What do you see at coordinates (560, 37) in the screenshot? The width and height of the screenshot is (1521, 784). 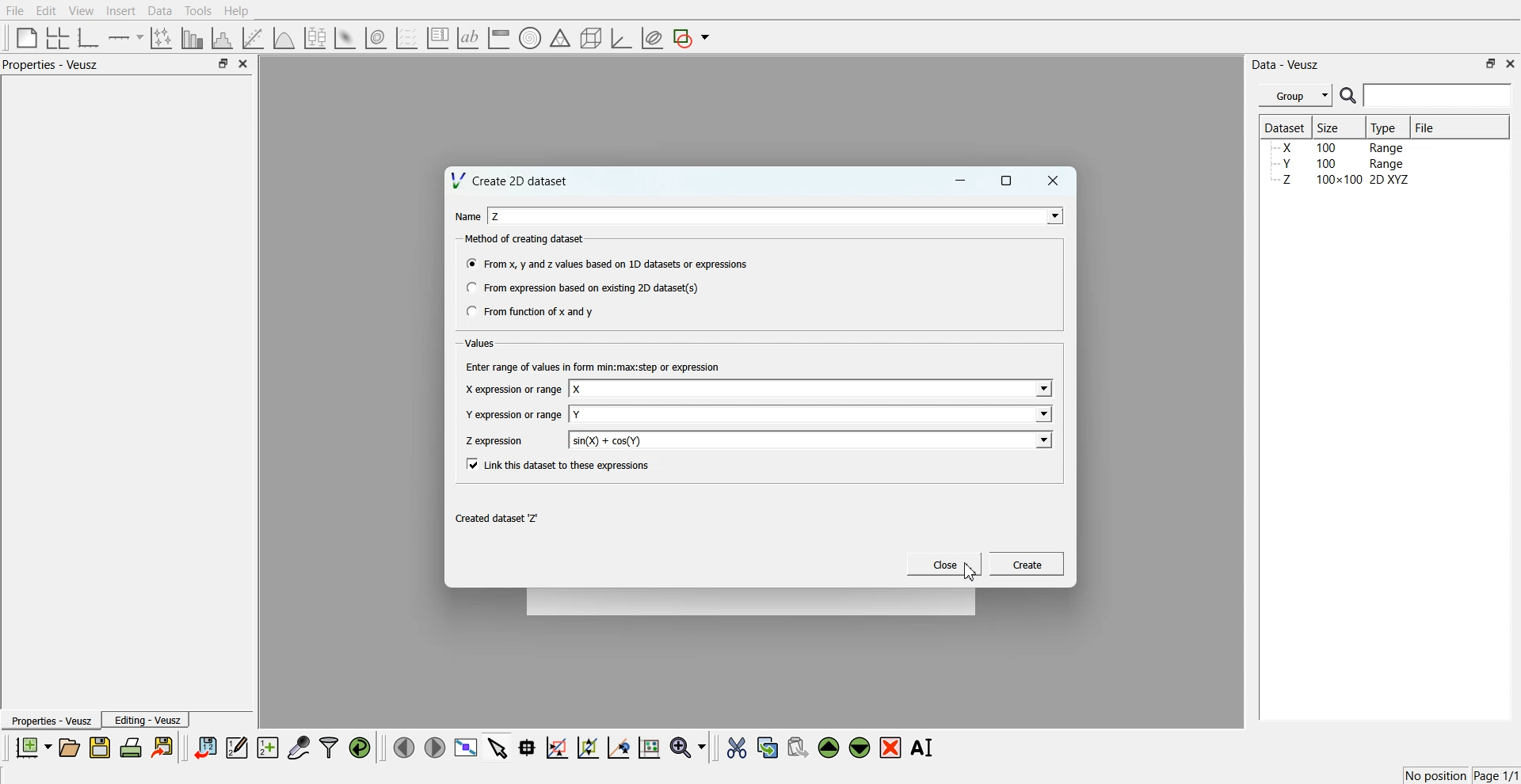 I see `Ternary Graph` at bounding box center [560, 37].